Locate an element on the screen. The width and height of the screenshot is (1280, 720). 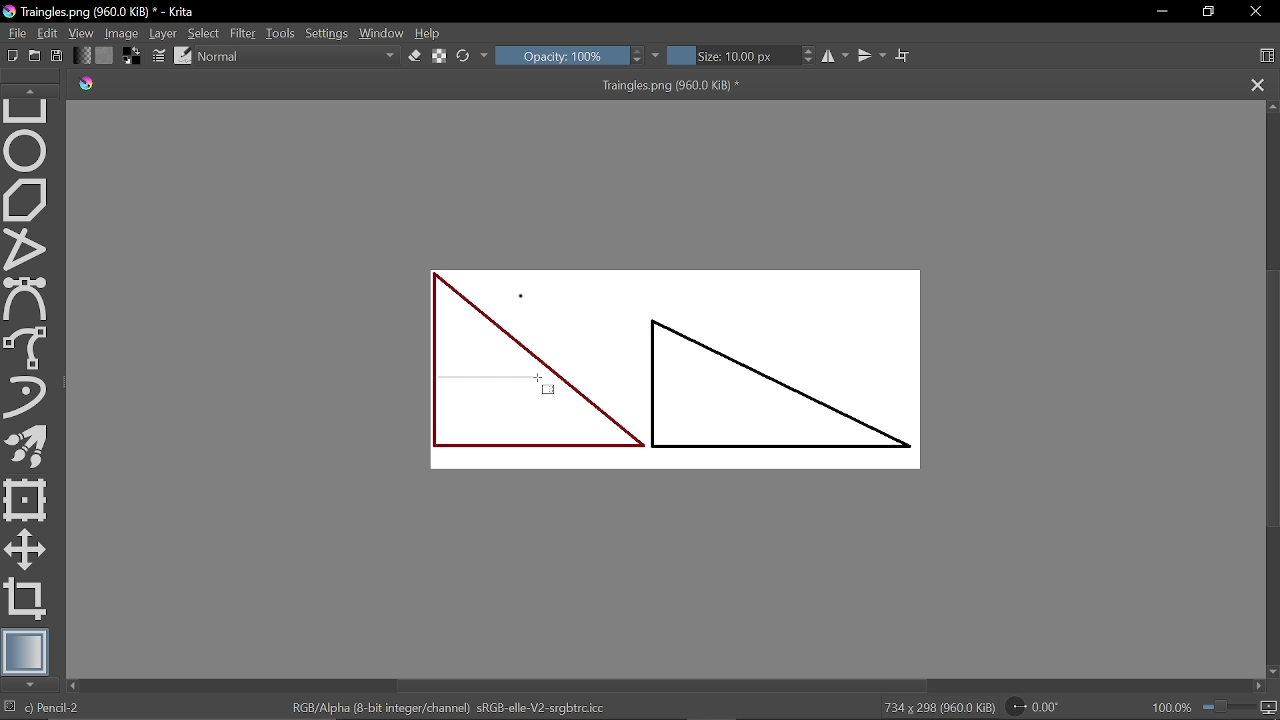
Opacity: 100% is located at coordinates (561, 57).